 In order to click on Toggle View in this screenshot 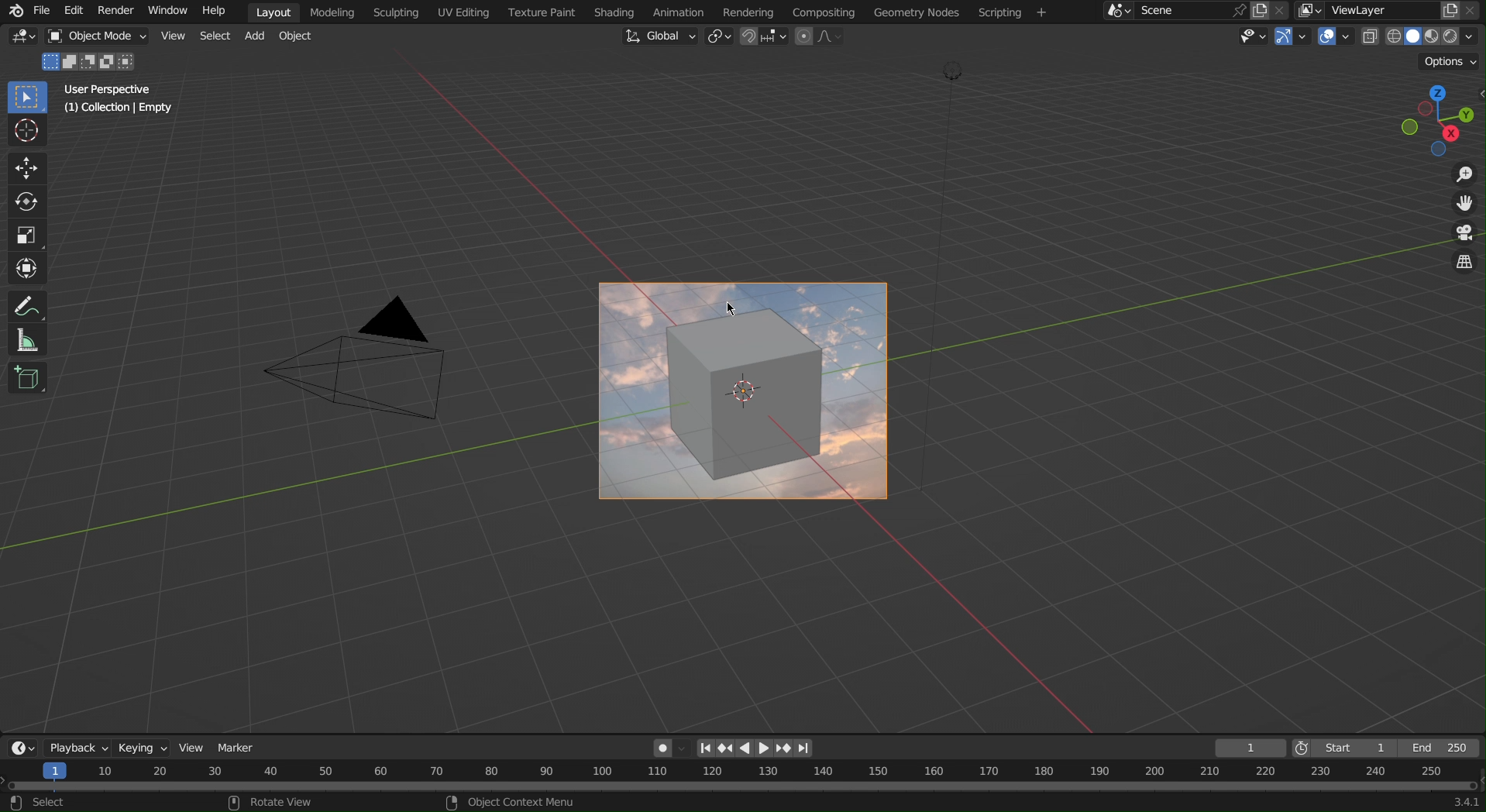, I will do `click(1467, 265)`.